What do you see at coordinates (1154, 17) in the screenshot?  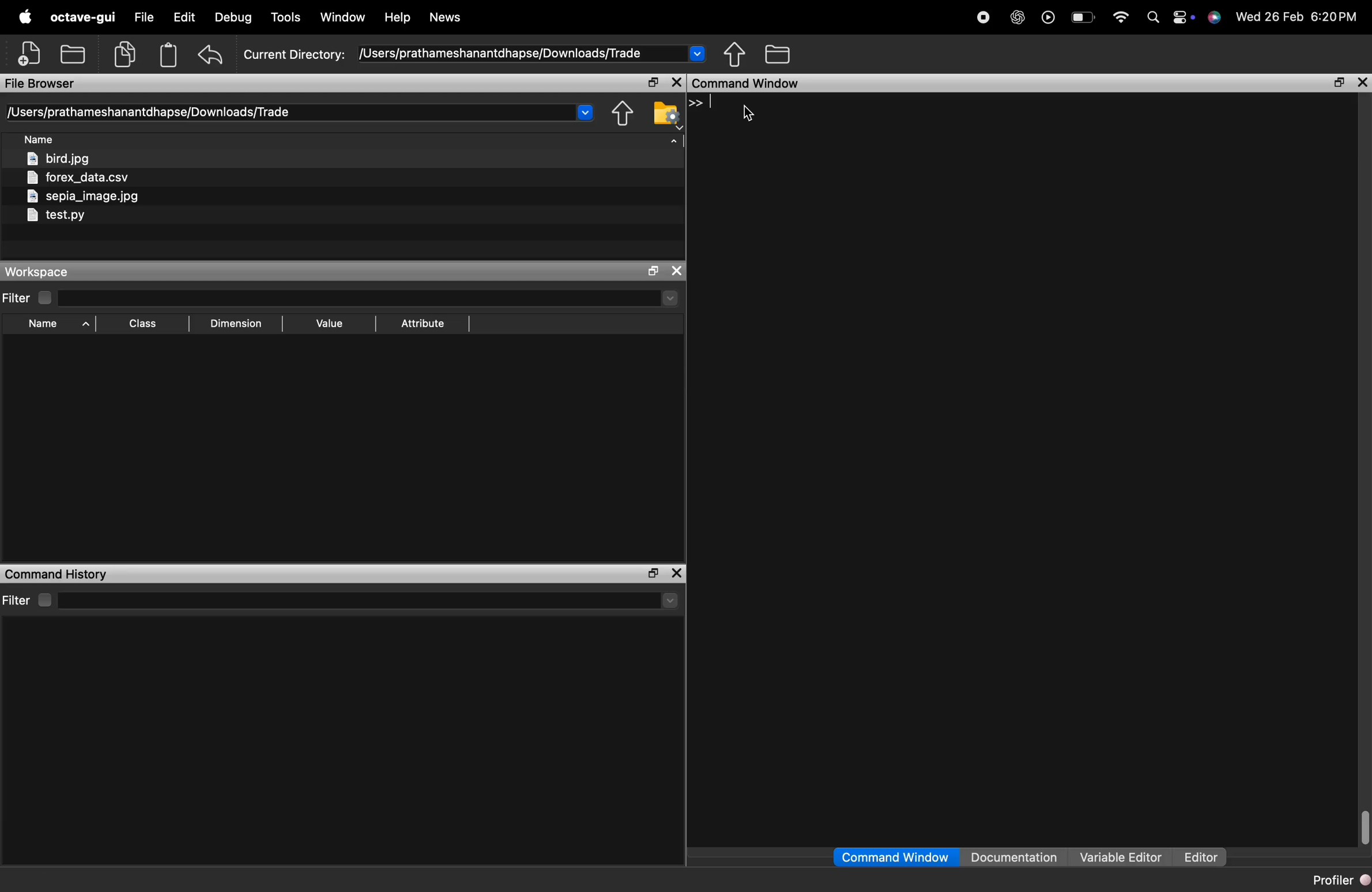 I see `find` at bounding box center [1154, 17].